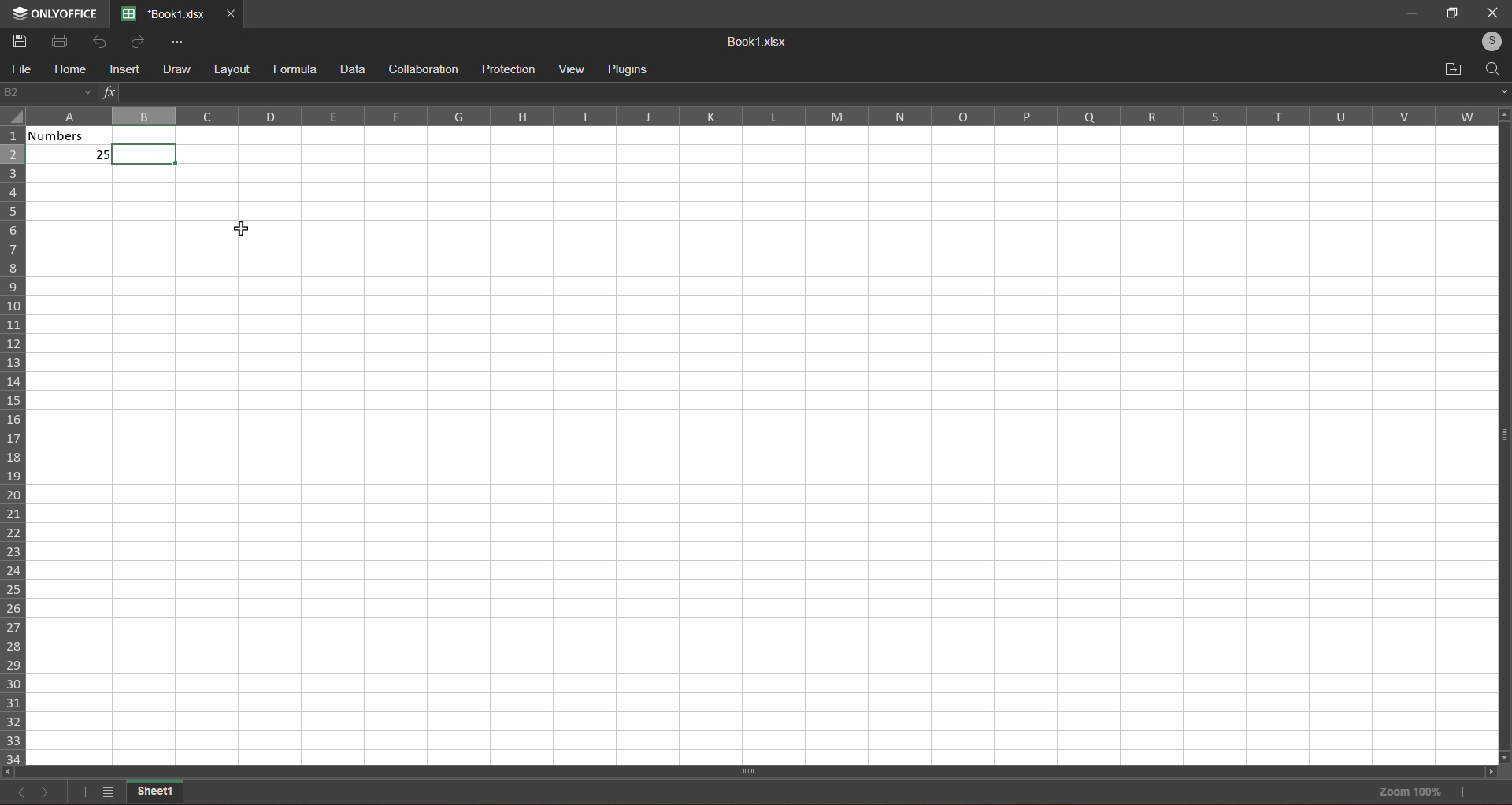 The height and width of the screenshot is (805, 1512). I want to click on select all, so click(14, 121).